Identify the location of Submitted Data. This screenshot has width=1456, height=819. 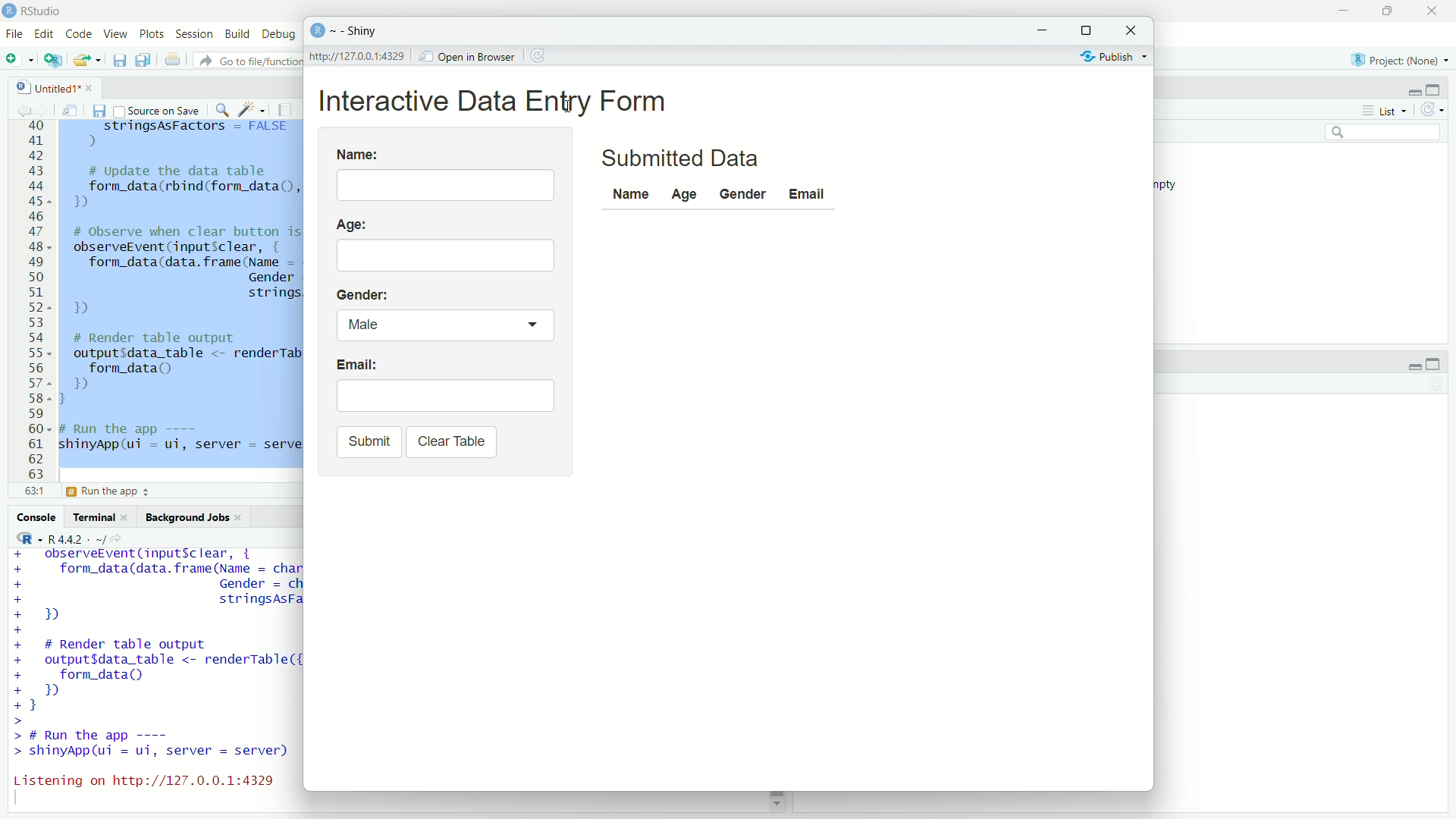
(686, 158).